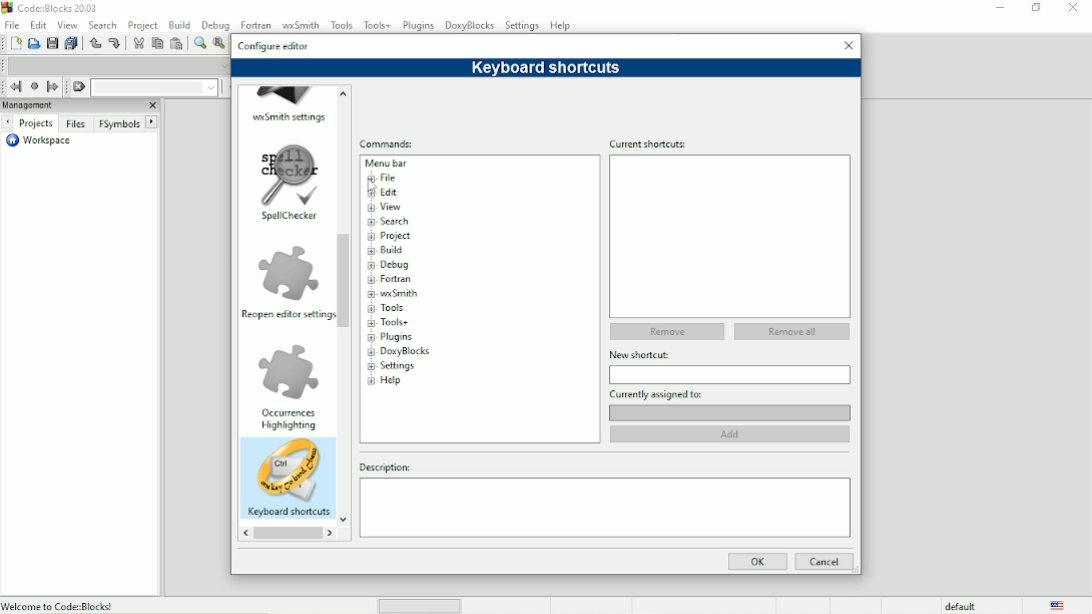 The width and height of the screenshot is (1092, 614). Describe the element at coordinates (344, 521) in the screenshot. I see `Down` at that location.